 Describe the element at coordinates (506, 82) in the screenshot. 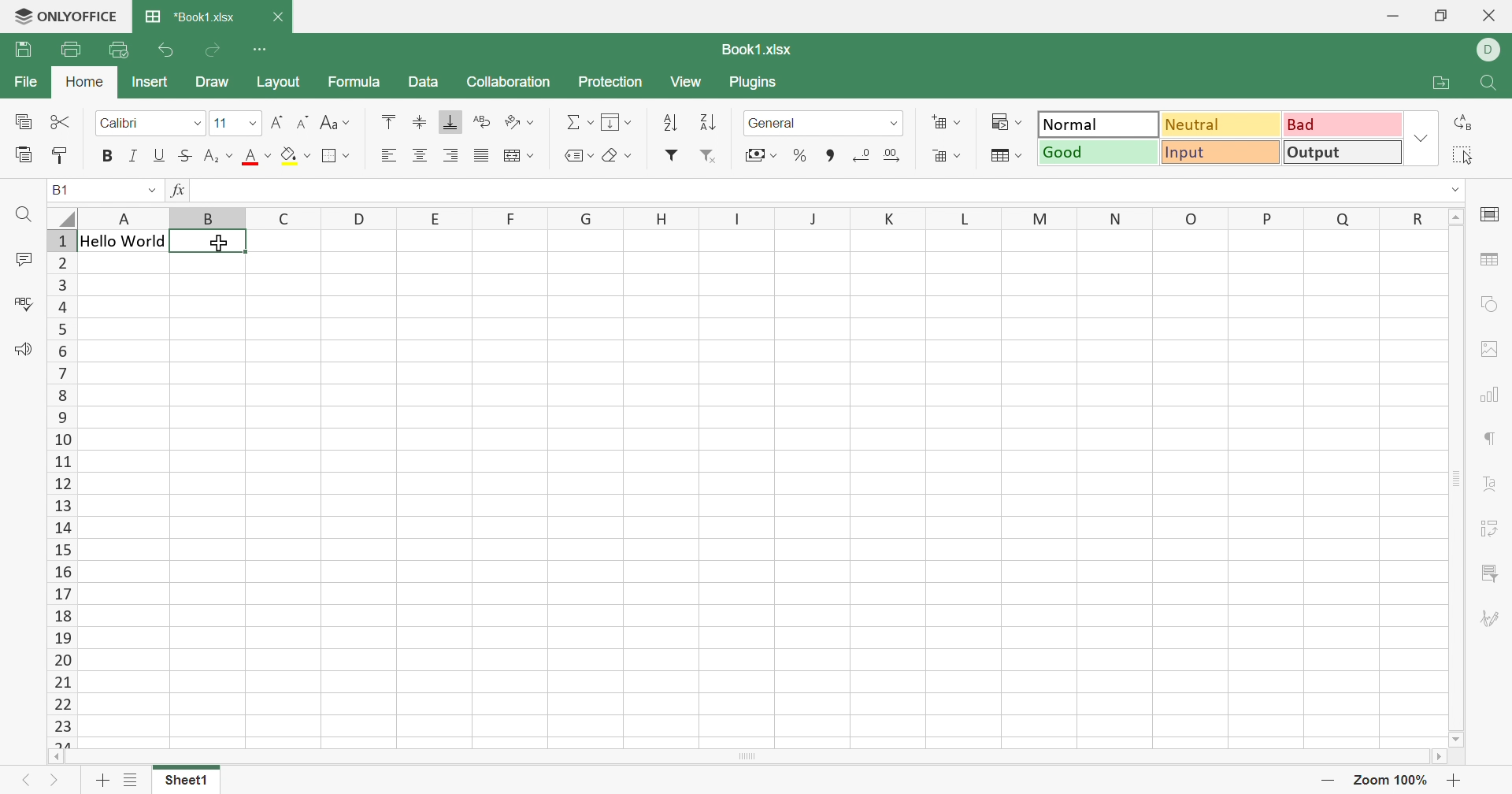

I see `Collaboration` at that location.